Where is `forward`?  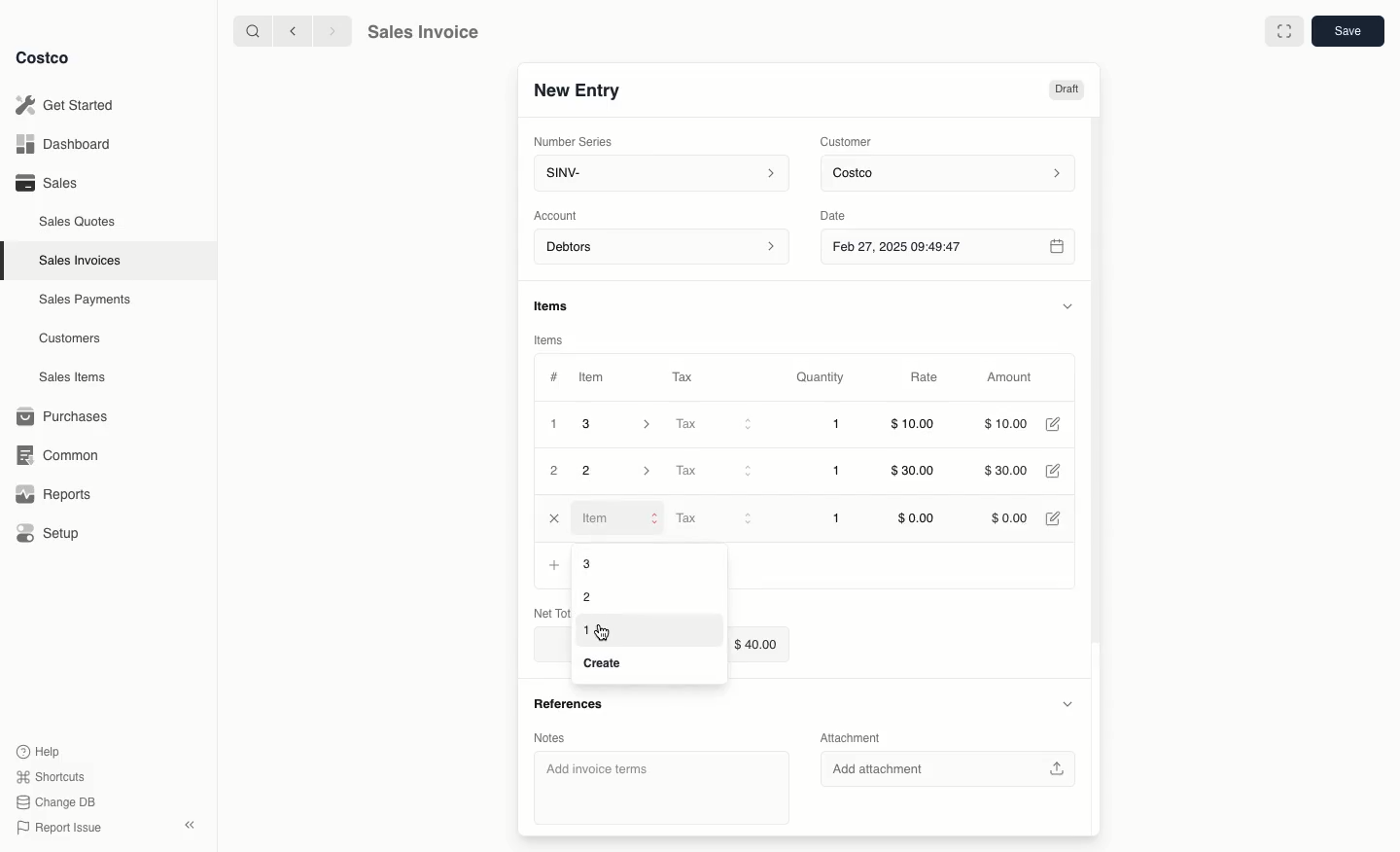 forward is located at coordinates (330, 30).